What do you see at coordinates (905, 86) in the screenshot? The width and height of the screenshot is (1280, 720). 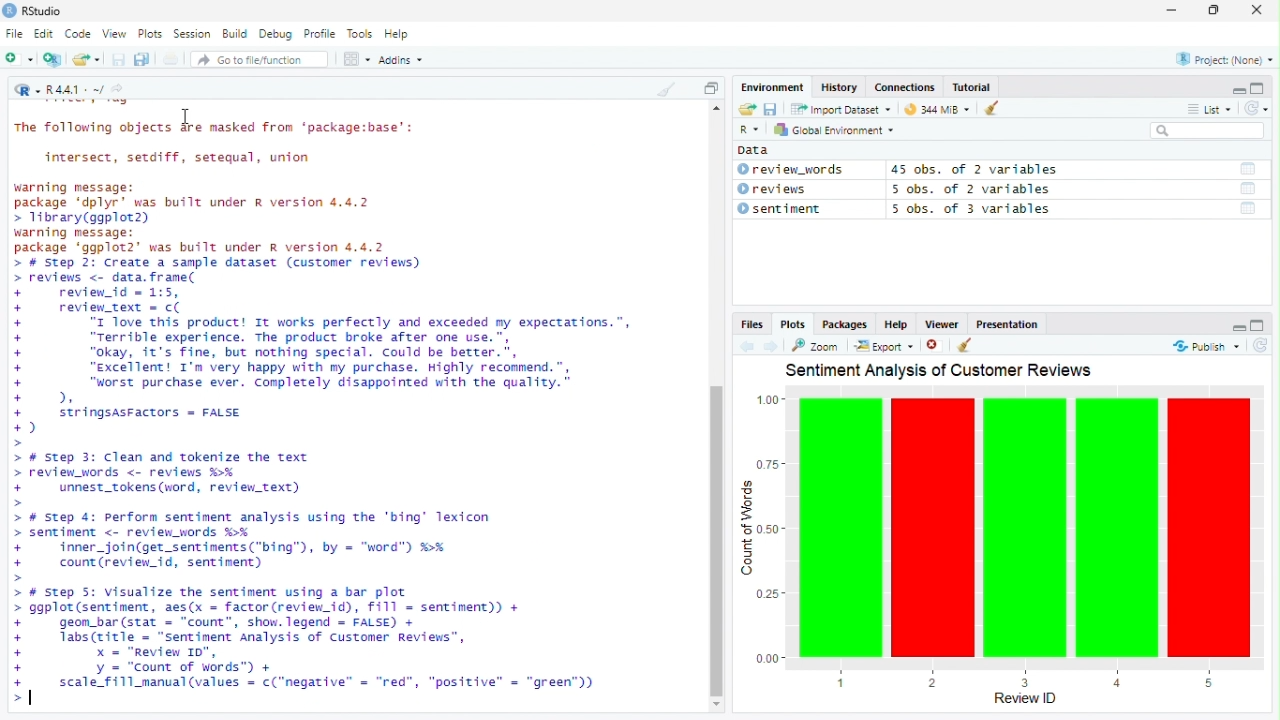 I see `Connections` at bounding box center [905, 86].